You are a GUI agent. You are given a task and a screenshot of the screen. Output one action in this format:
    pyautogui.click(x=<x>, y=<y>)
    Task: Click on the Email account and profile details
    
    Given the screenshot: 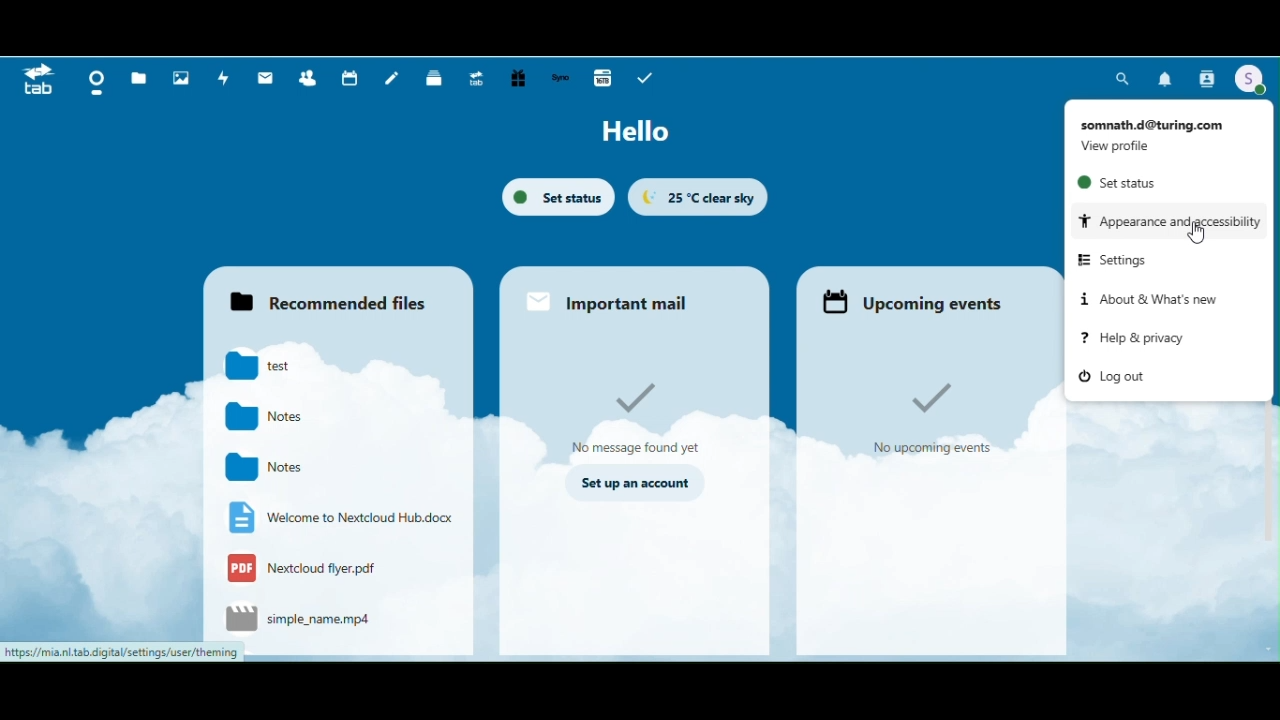 What is the action you would take?
    pyautogui.click(x=1160, y=131)
    